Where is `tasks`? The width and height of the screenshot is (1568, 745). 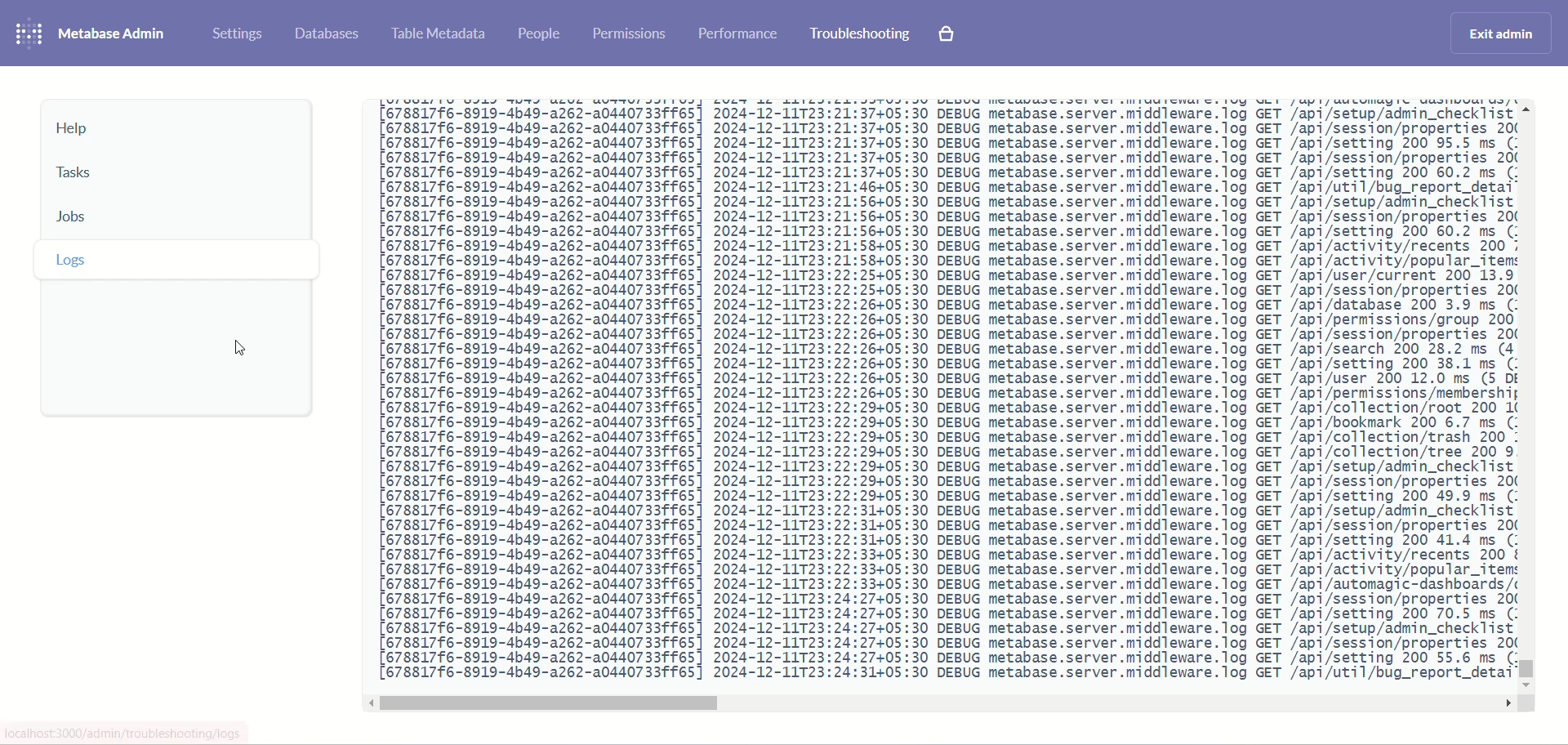 tasks is located at coordinates (180, 177).